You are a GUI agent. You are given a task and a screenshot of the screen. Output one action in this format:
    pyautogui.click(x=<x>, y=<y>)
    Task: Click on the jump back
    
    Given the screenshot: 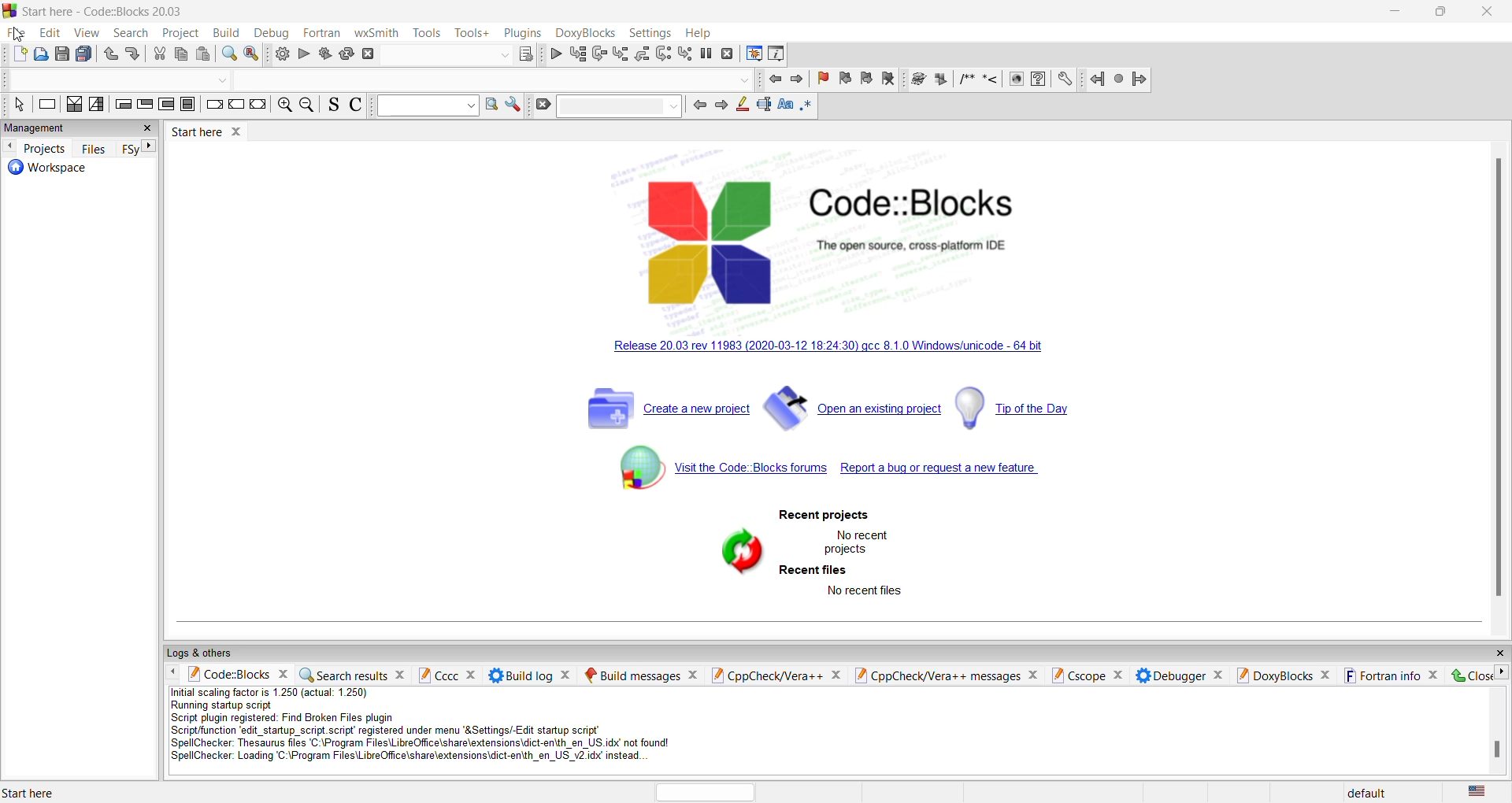 What is the action you would take?
    pyautogui.click(x=1094, y=80)
    